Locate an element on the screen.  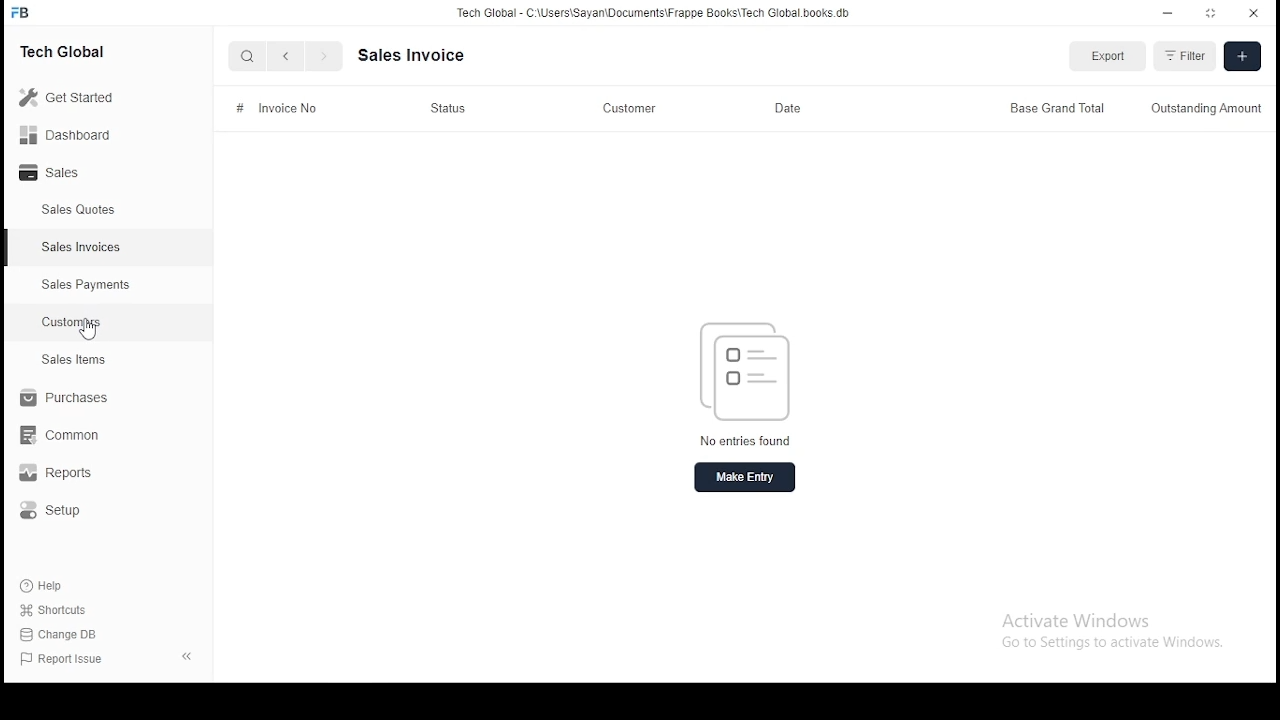
dashboard is located at coordinates (66, 133).